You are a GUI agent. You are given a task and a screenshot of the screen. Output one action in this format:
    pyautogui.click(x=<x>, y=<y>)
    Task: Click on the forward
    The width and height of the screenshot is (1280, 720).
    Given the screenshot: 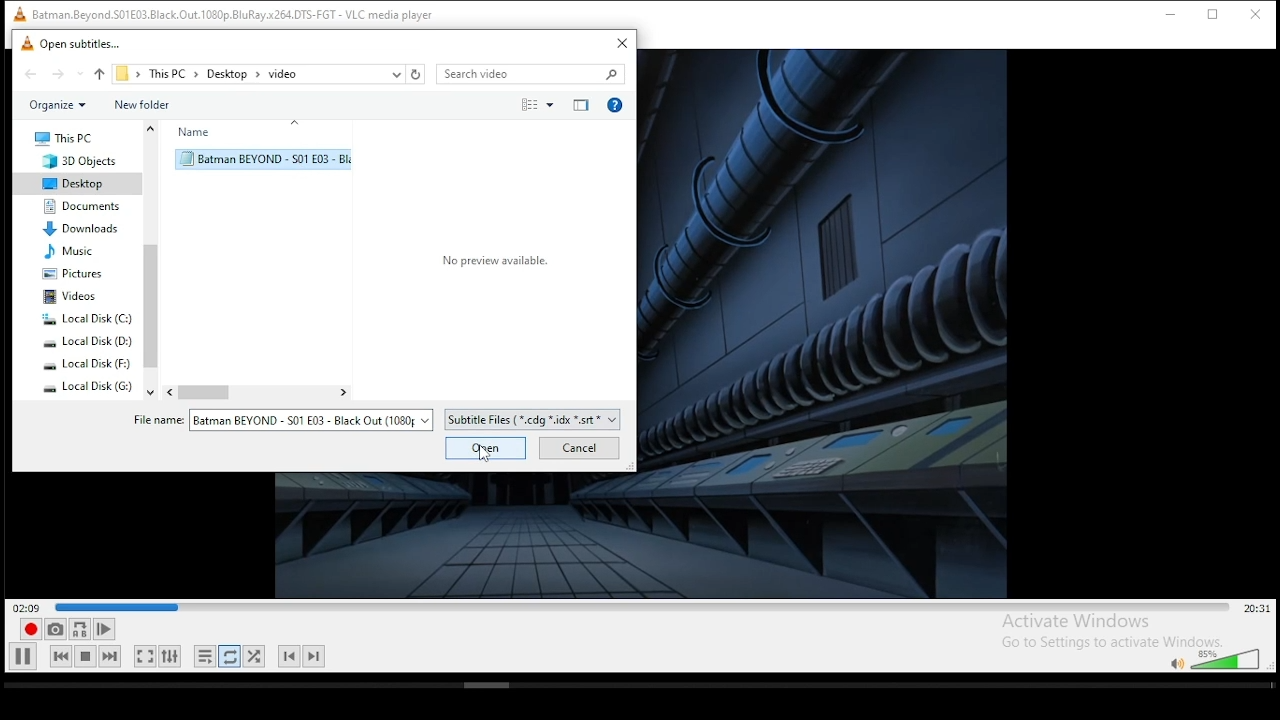 What is the action you would take?
    pyautogui.click(x=67, y=74)
    